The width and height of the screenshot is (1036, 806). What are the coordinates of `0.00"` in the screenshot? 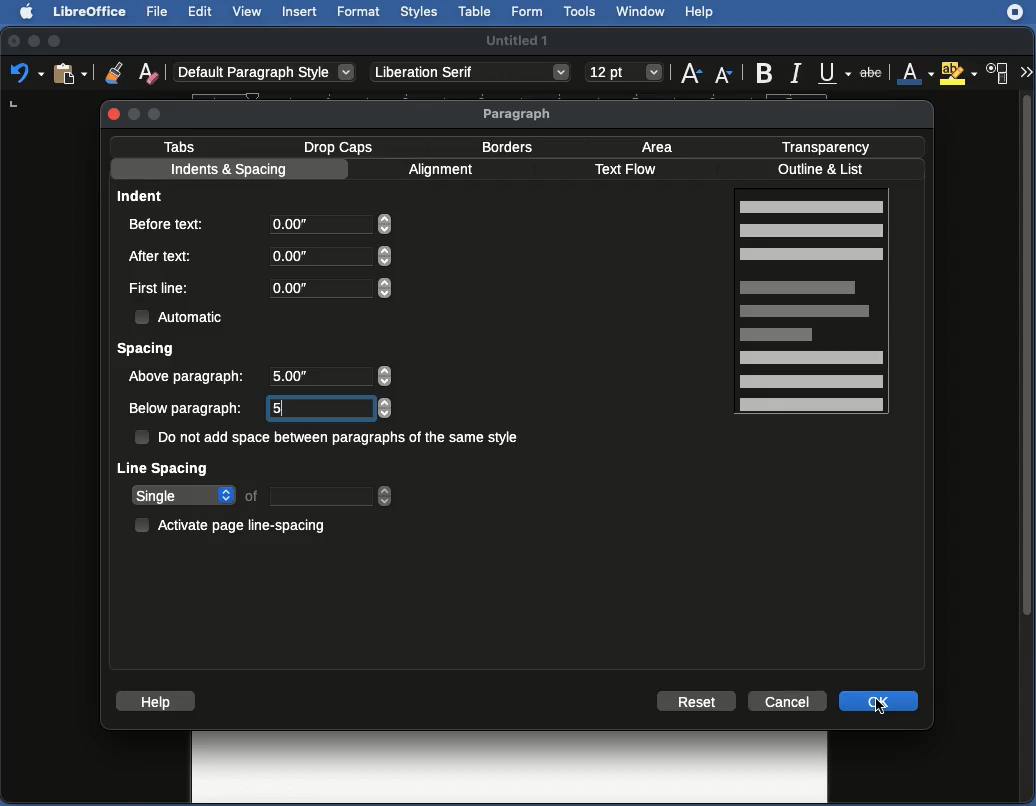 It's located at (332, 228).